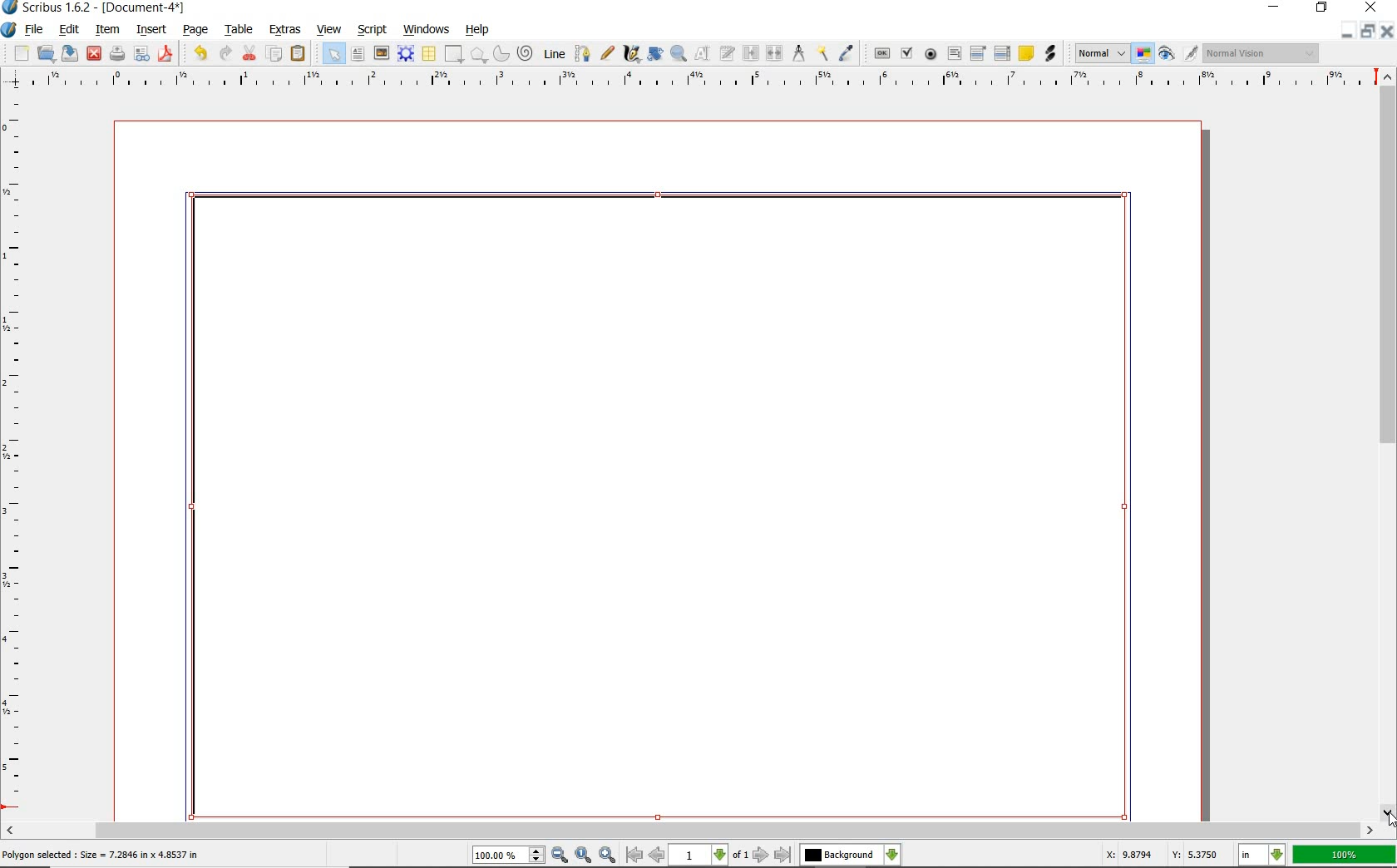 The height and width of the screenshot is (868, 1397). Describe the element at coordinates (1368, 32) in the screenshot. I see `restore` at that location.